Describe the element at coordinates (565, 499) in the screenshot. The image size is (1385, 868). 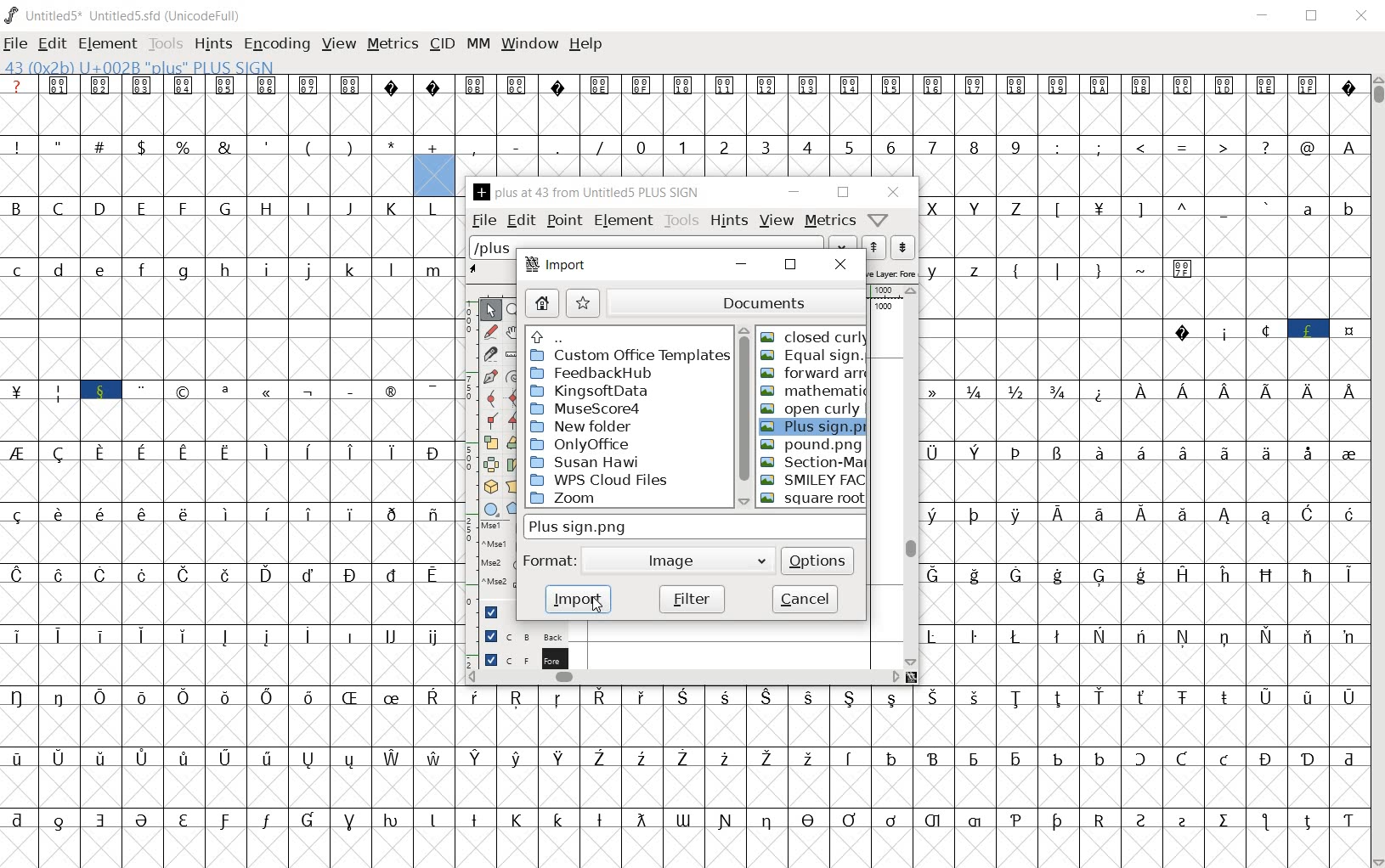
I see `ZOOM` at that location.